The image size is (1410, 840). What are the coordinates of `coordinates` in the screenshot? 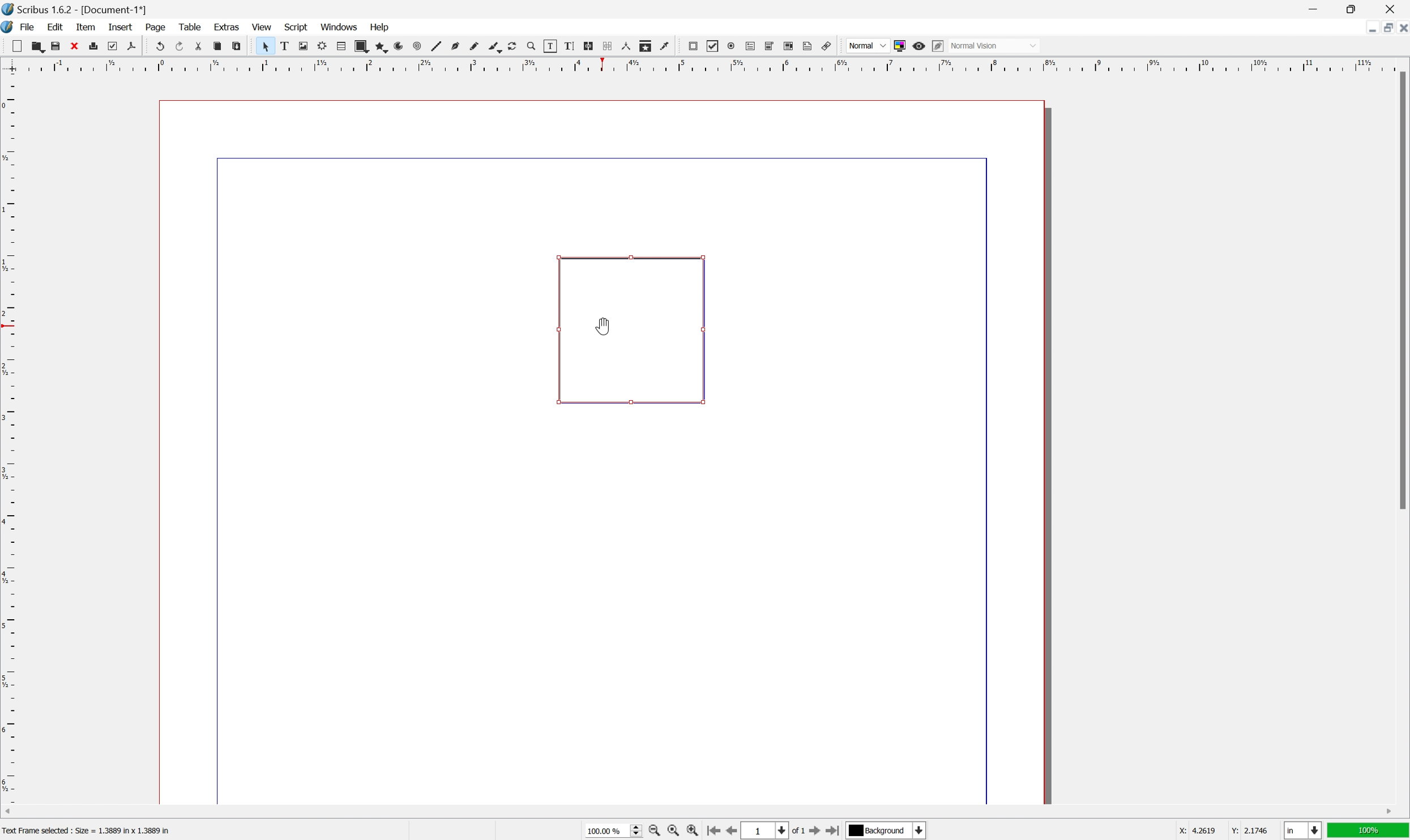 It's located at (1214, 831).